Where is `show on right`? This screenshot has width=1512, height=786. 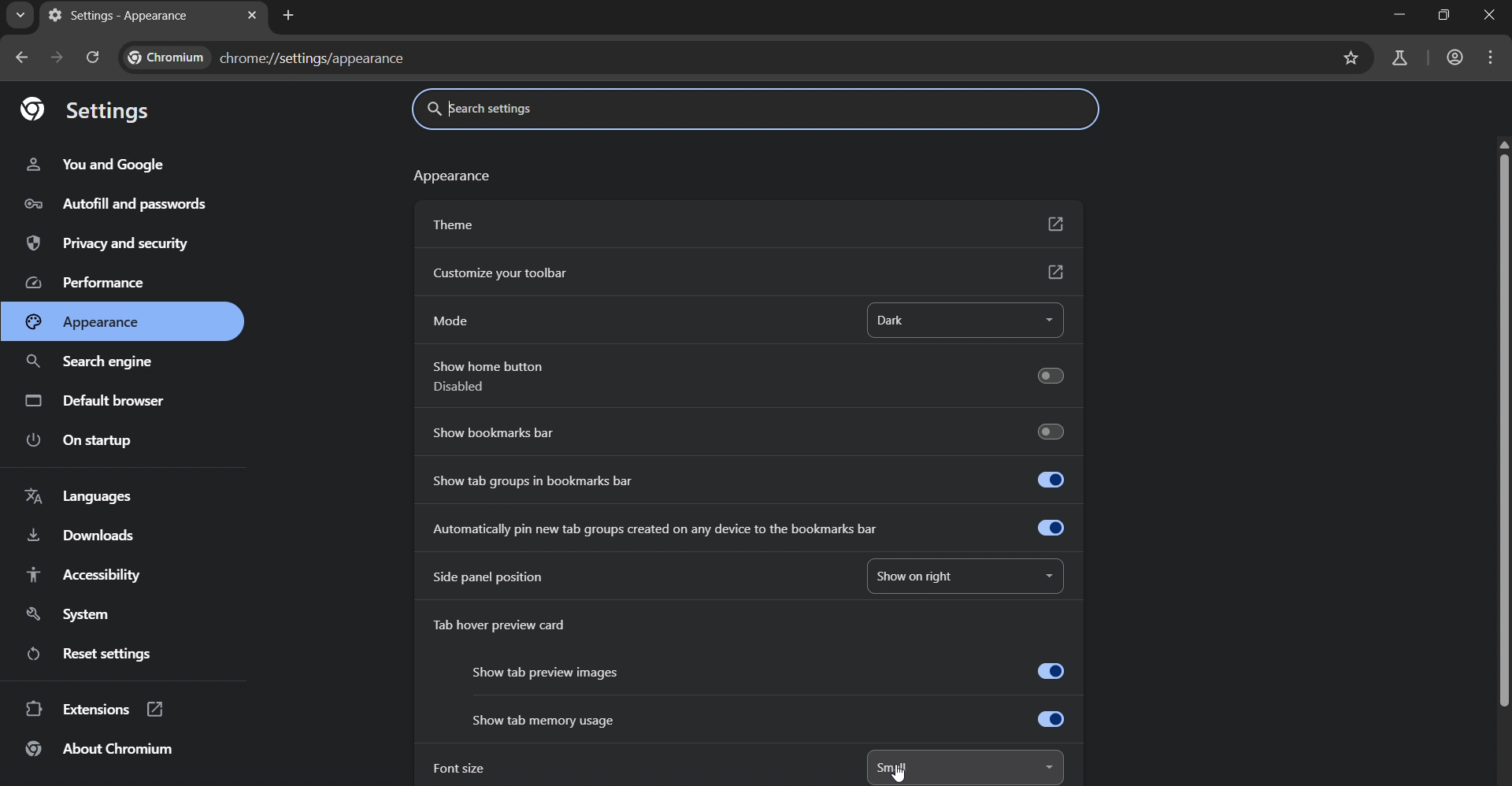 show on right is located at coordinates (927, 573).